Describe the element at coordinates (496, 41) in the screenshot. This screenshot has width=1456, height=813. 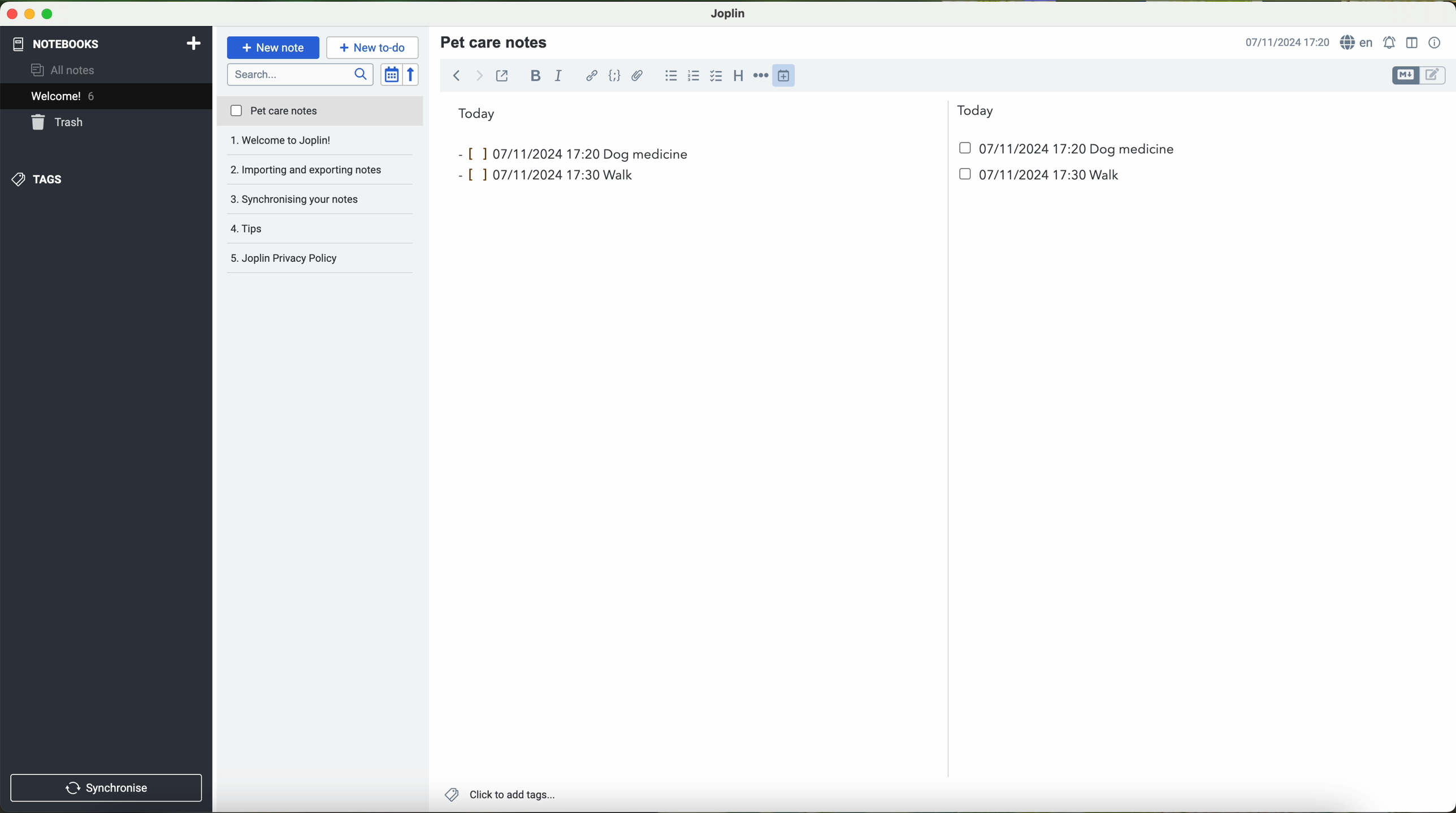
I see `title pet care notes` at that location.